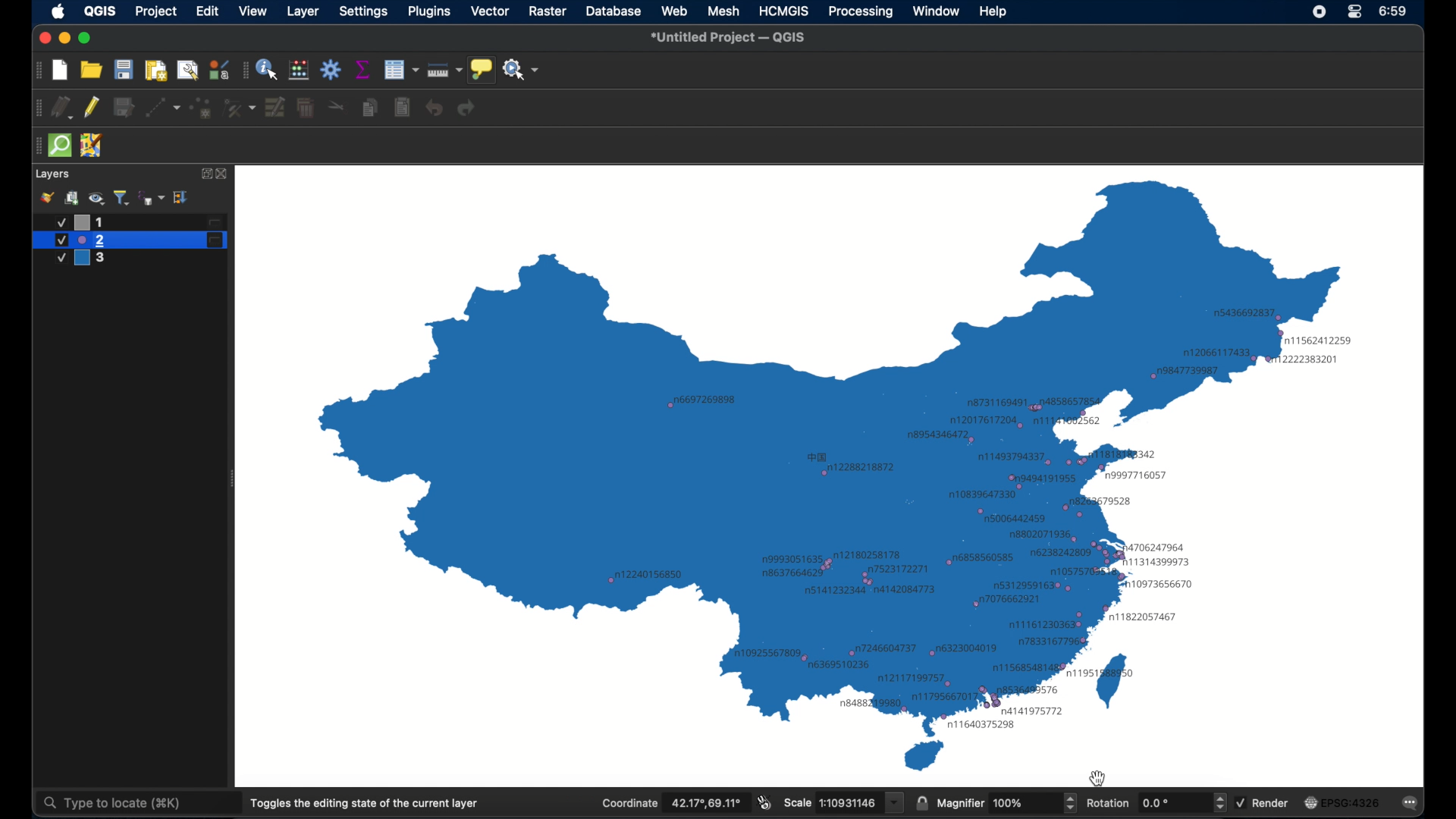  What do you see at coordinates (430, 11) in the screenshot?
I see `plugins` at bounding box center [430, 11].